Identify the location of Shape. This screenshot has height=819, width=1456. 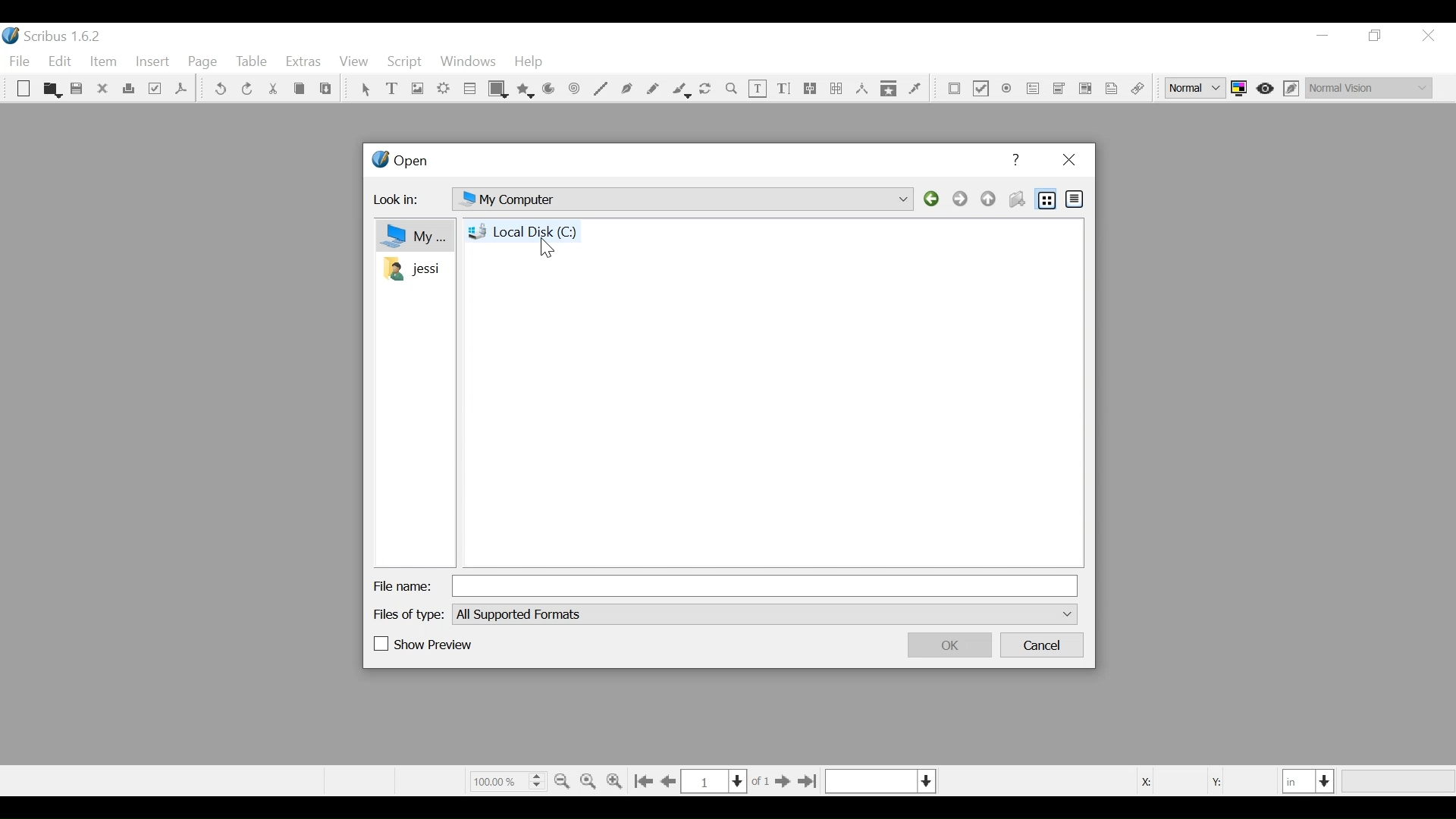
(499, 89).